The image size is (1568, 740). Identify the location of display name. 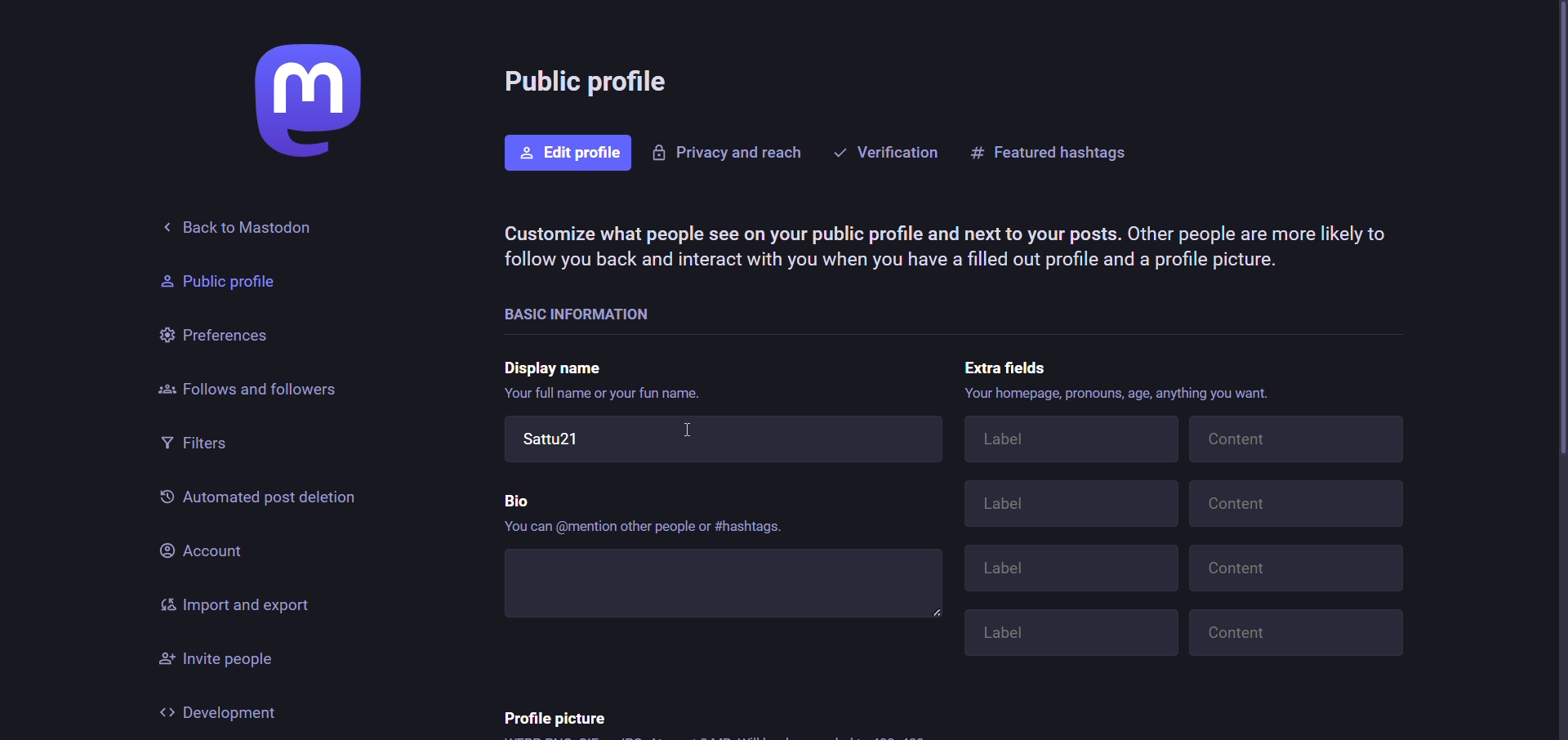
(558, 366).